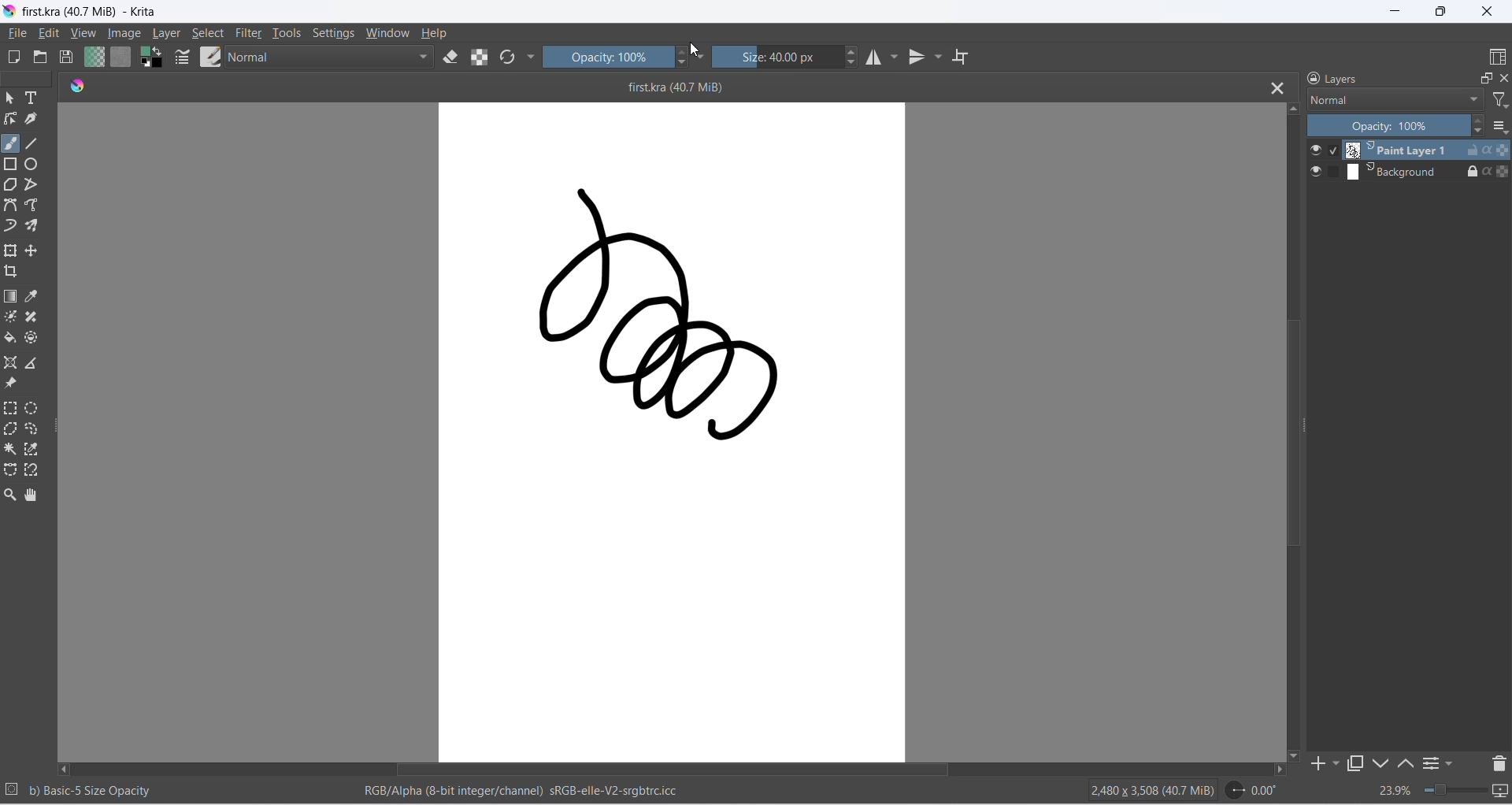 The width and height of the screenshot is (1512, 805). What do you see at coordinates (121, 57) in the screenshot?
I see `fill patterns` at bounding box center [121, 57].